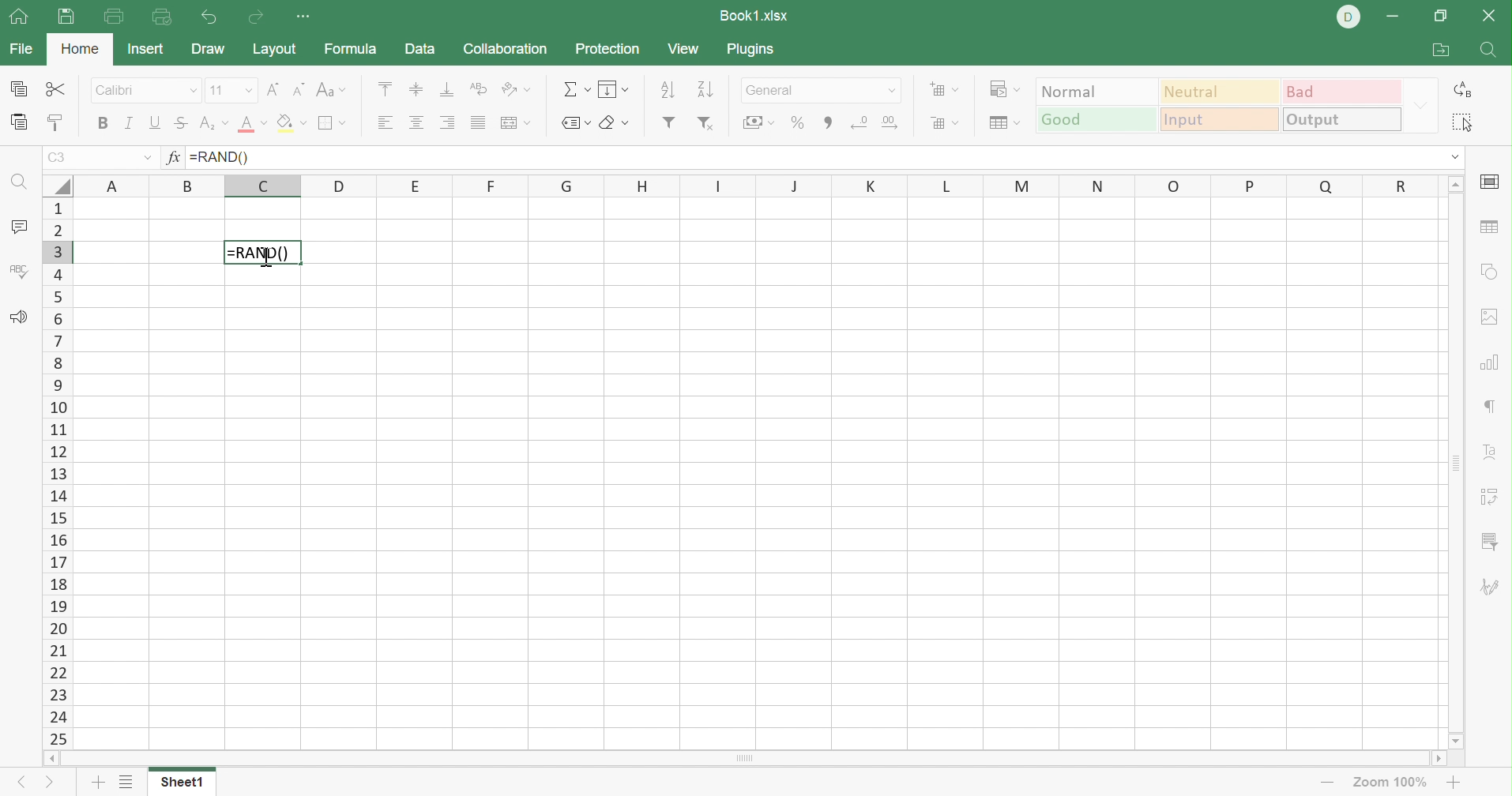 Image resolution: width=1512 pixels, height=796 pixels. Describe the element at coordinates (449, 88) in the screenshot. I see `Align bottom` at that location.